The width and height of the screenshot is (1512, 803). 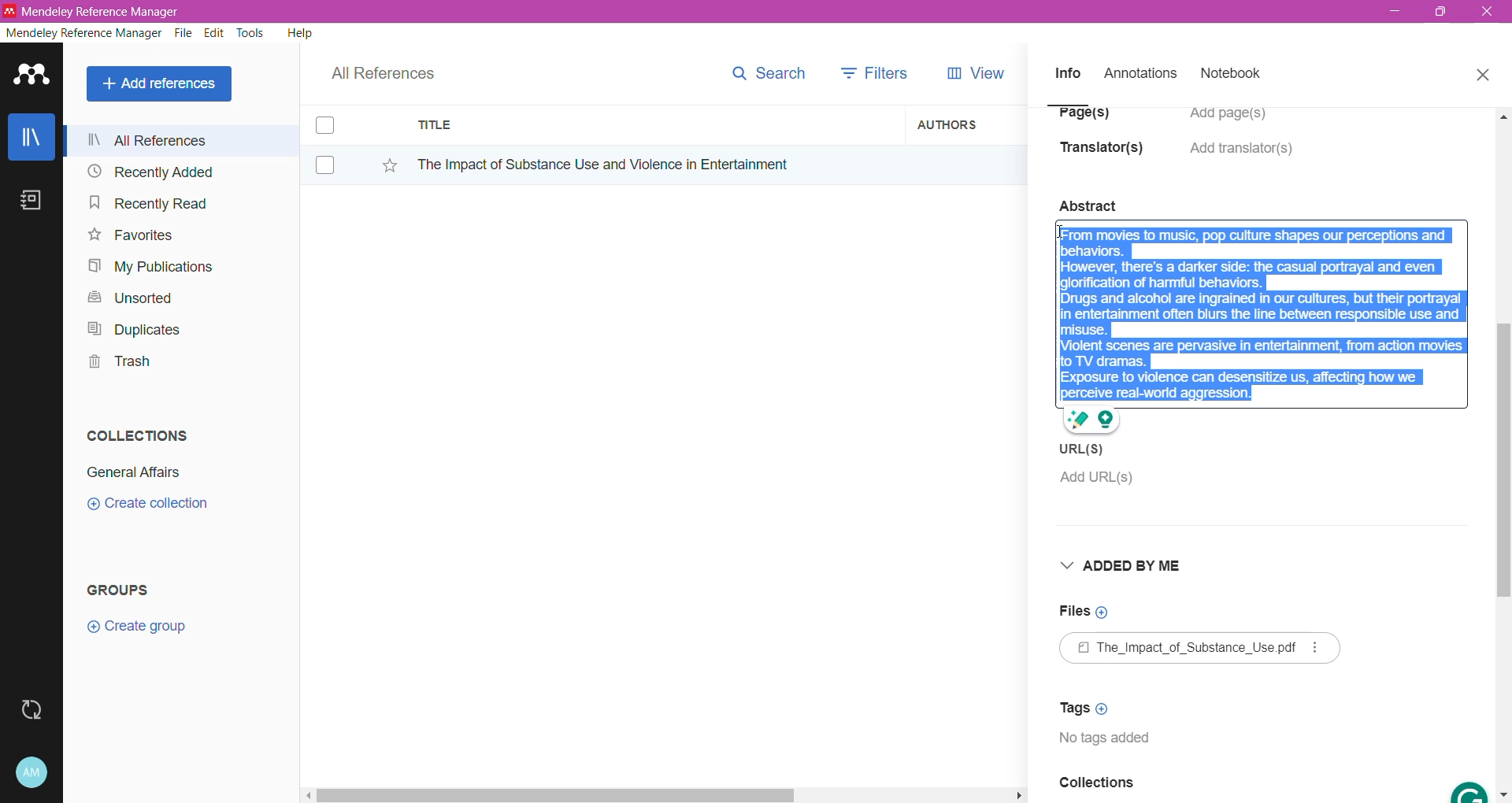 I want to click on Last Sync, so click(x=38, y=708).